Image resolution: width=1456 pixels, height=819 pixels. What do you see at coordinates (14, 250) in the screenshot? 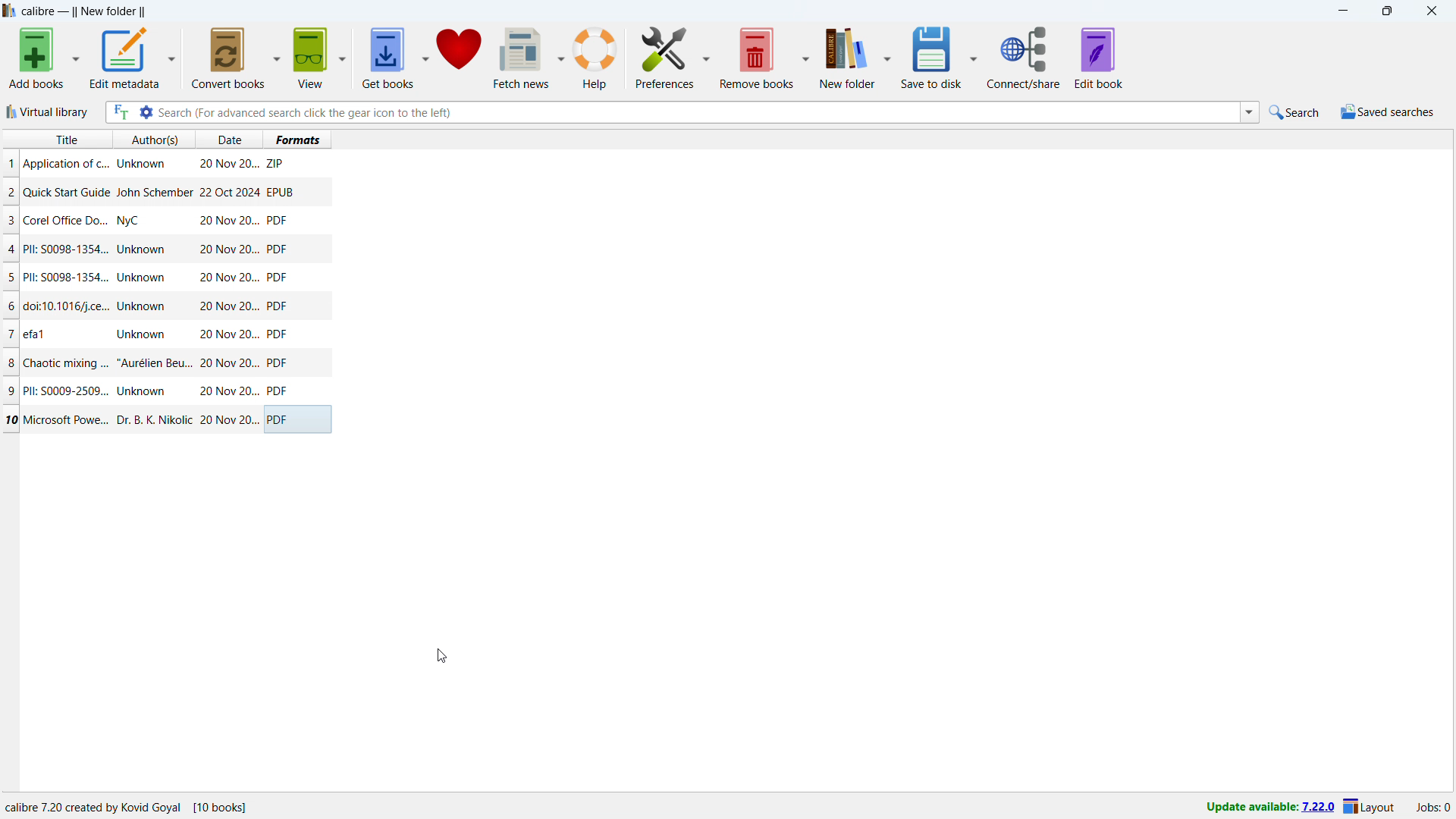
I see `4` at bounding box center [14, 250].